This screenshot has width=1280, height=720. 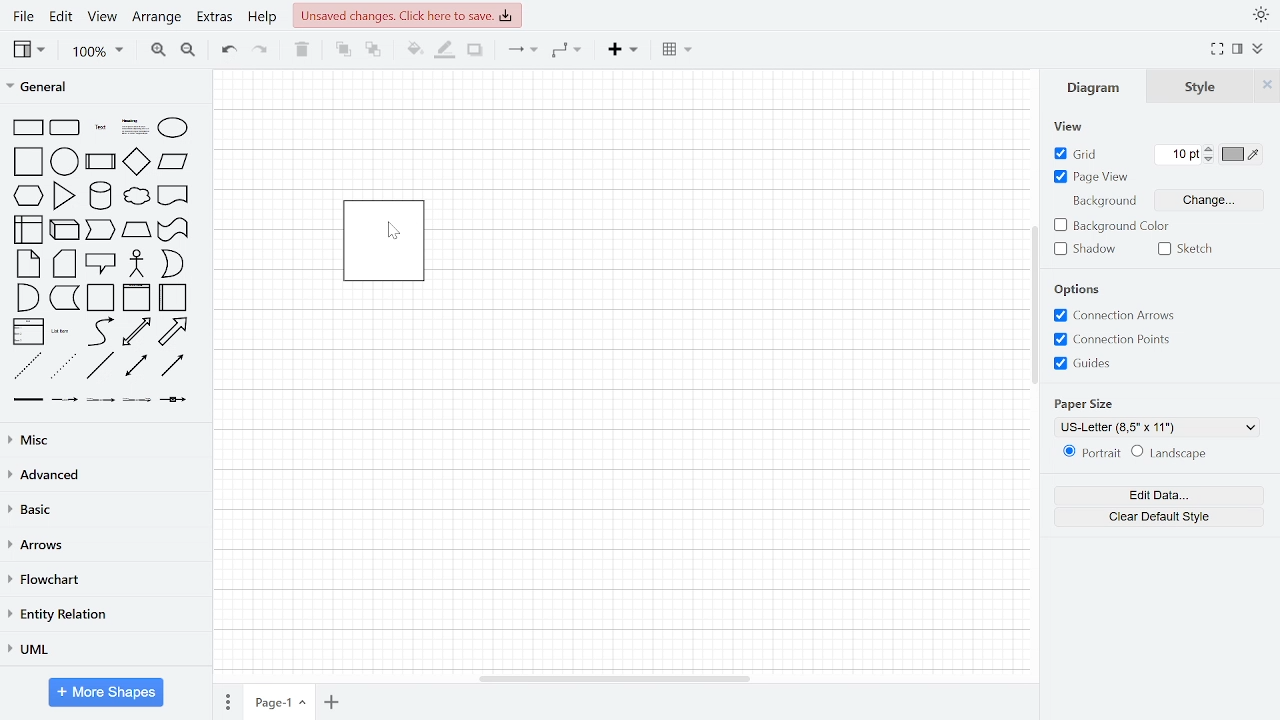 I want to click on fill line, so click(x=443, y=49).